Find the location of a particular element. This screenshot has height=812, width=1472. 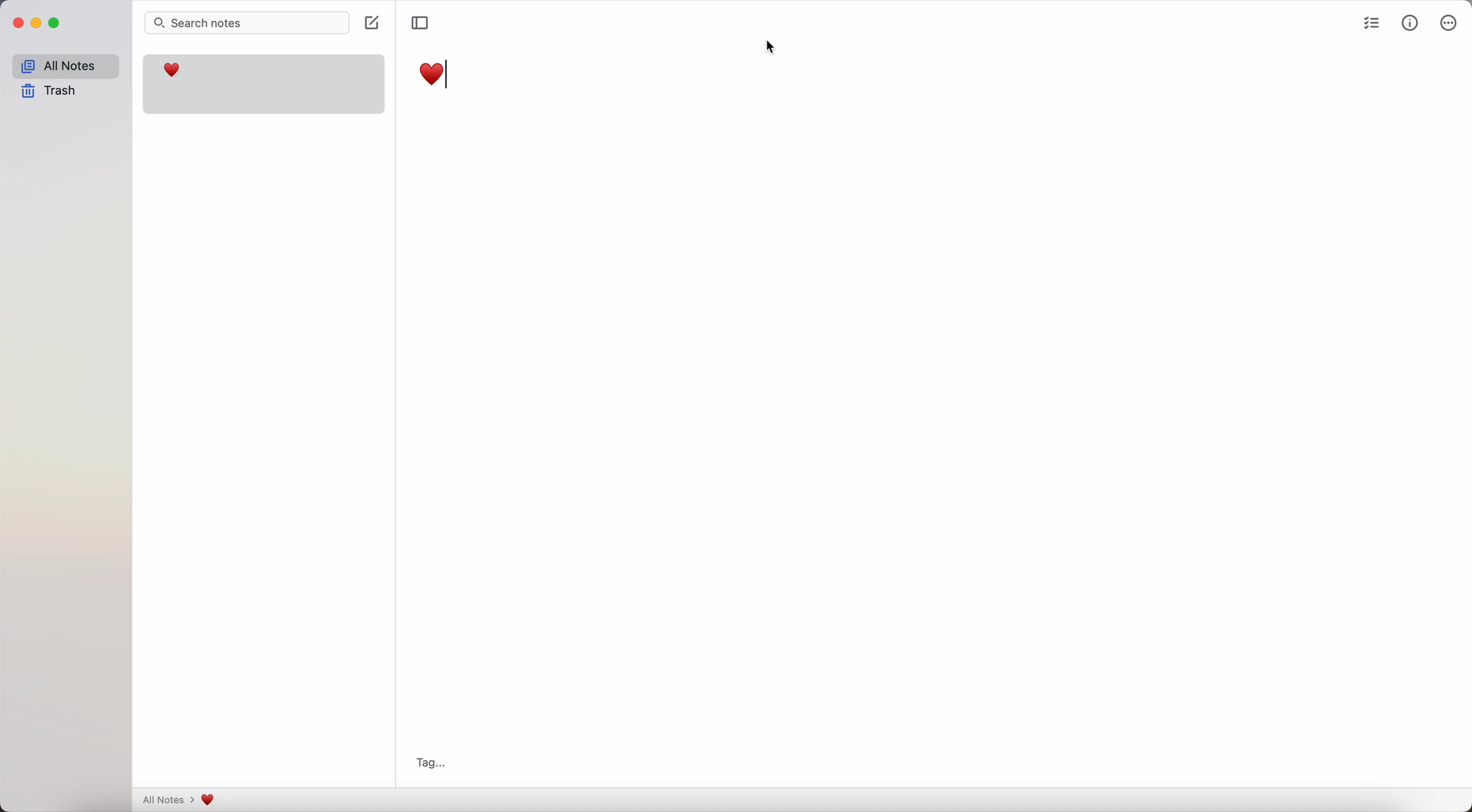

create note is located at coordinates (372, 22).